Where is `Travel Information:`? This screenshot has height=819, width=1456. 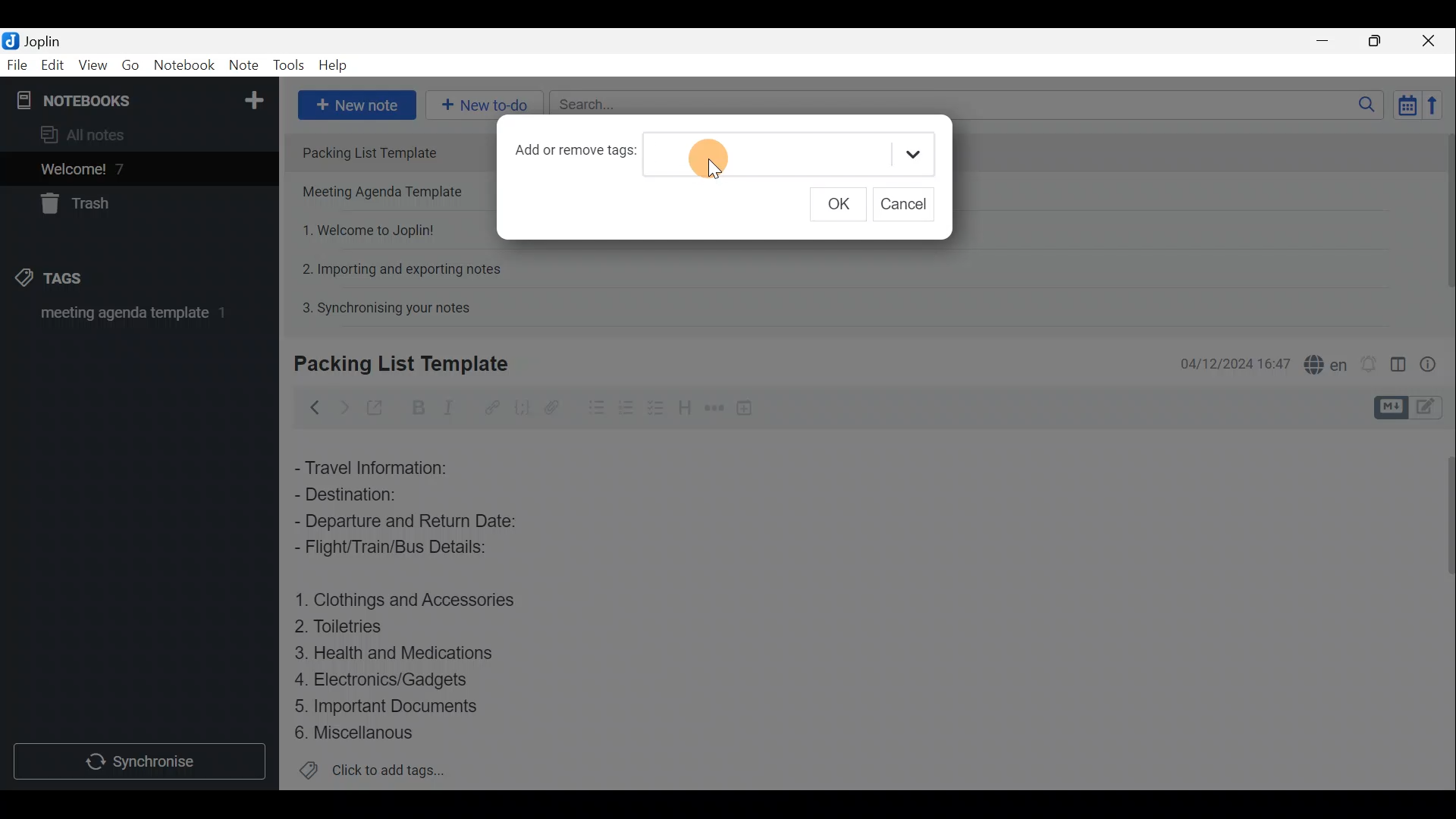
Travel Information: is located at coordinates (383, 466).